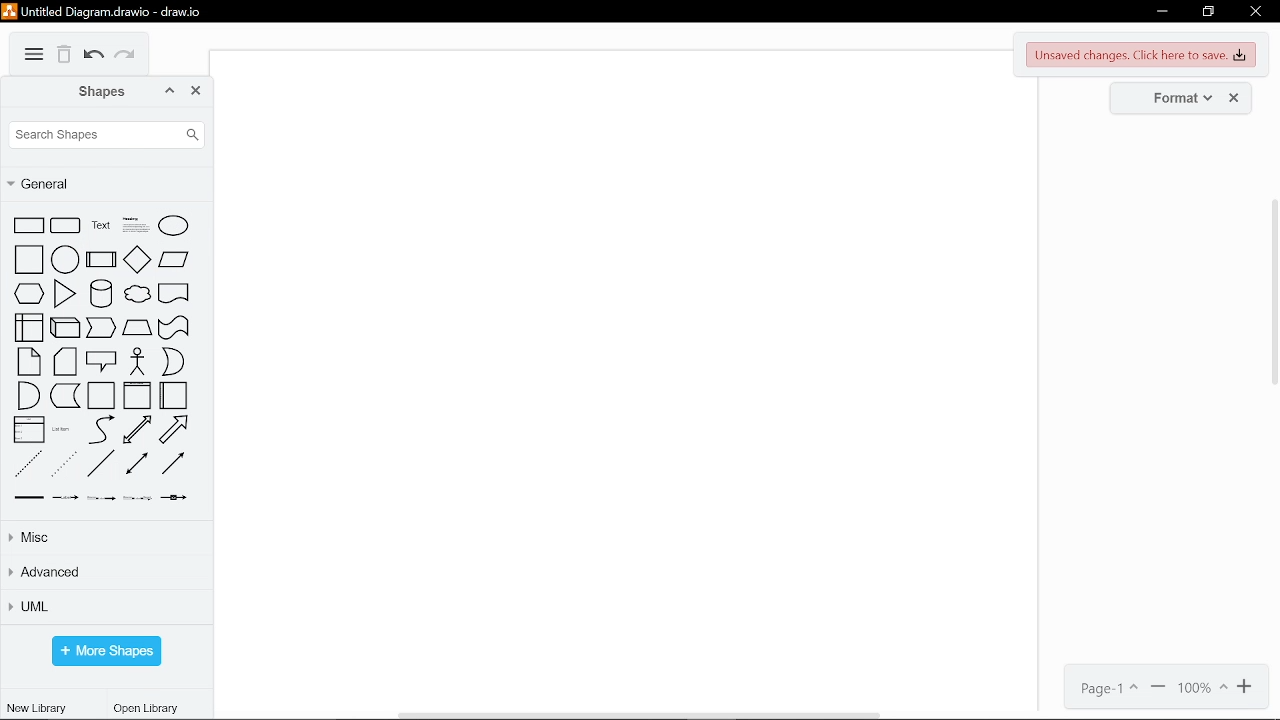 Image resolution: width=1280 pixels, height=720 pixels. Describe the element at coordinates (175, 429) in the screenshot. I see `arrow` at that location.